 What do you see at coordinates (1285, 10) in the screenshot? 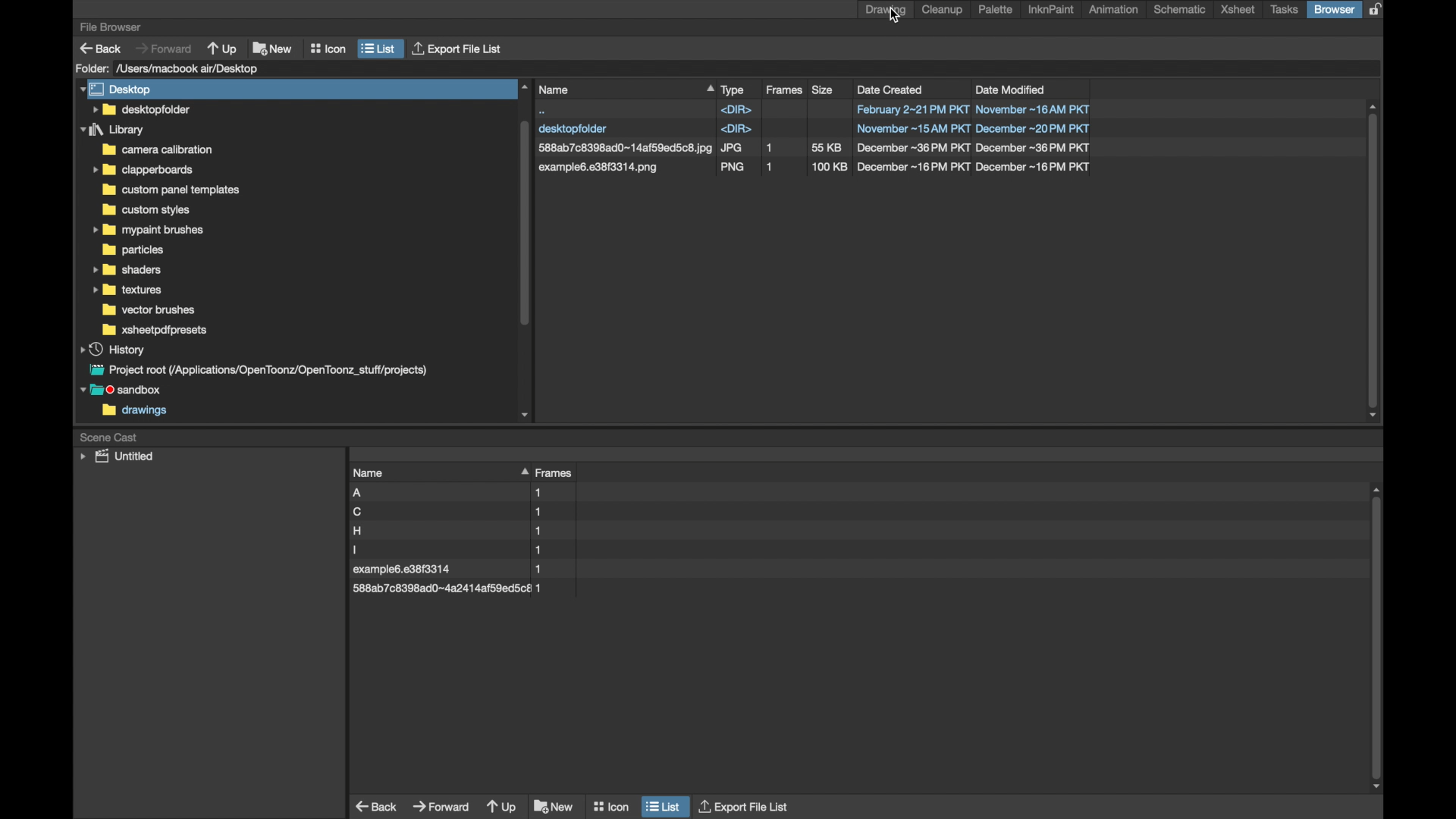
I see `tasks` at bounding box center [1285, 10].